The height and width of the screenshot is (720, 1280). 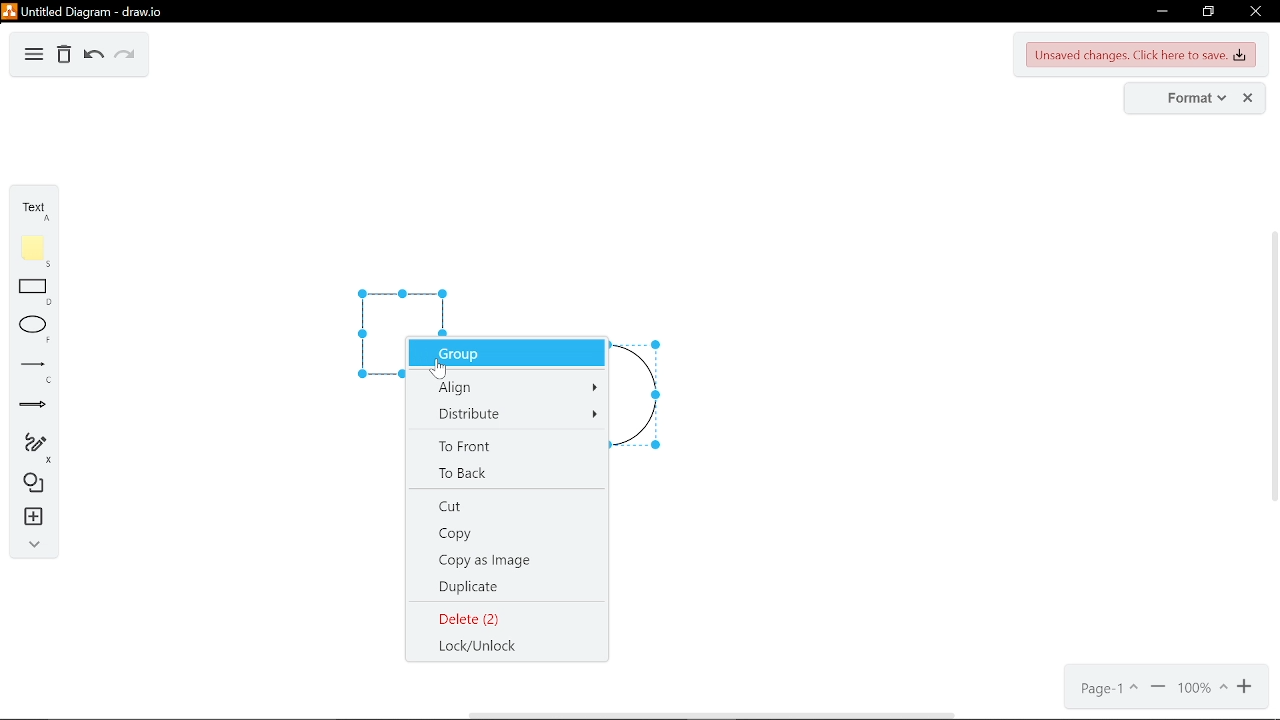 What do you see at coordinates (64, 56) in the screenshot?
I see `Delete` at bounding box center [64, 56].